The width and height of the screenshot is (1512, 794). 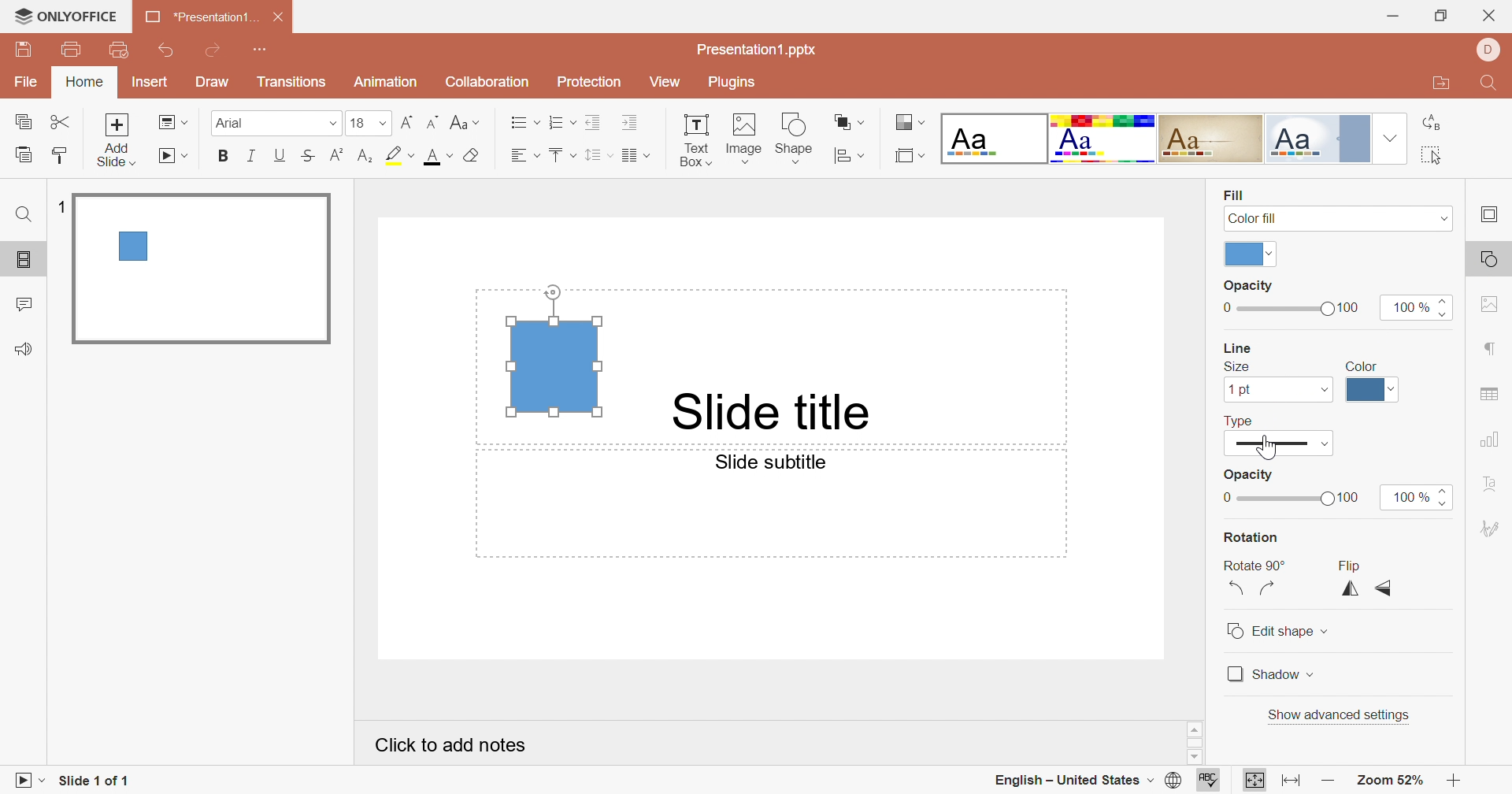 I want to click on Rotation, so click(x=1255, y=536).